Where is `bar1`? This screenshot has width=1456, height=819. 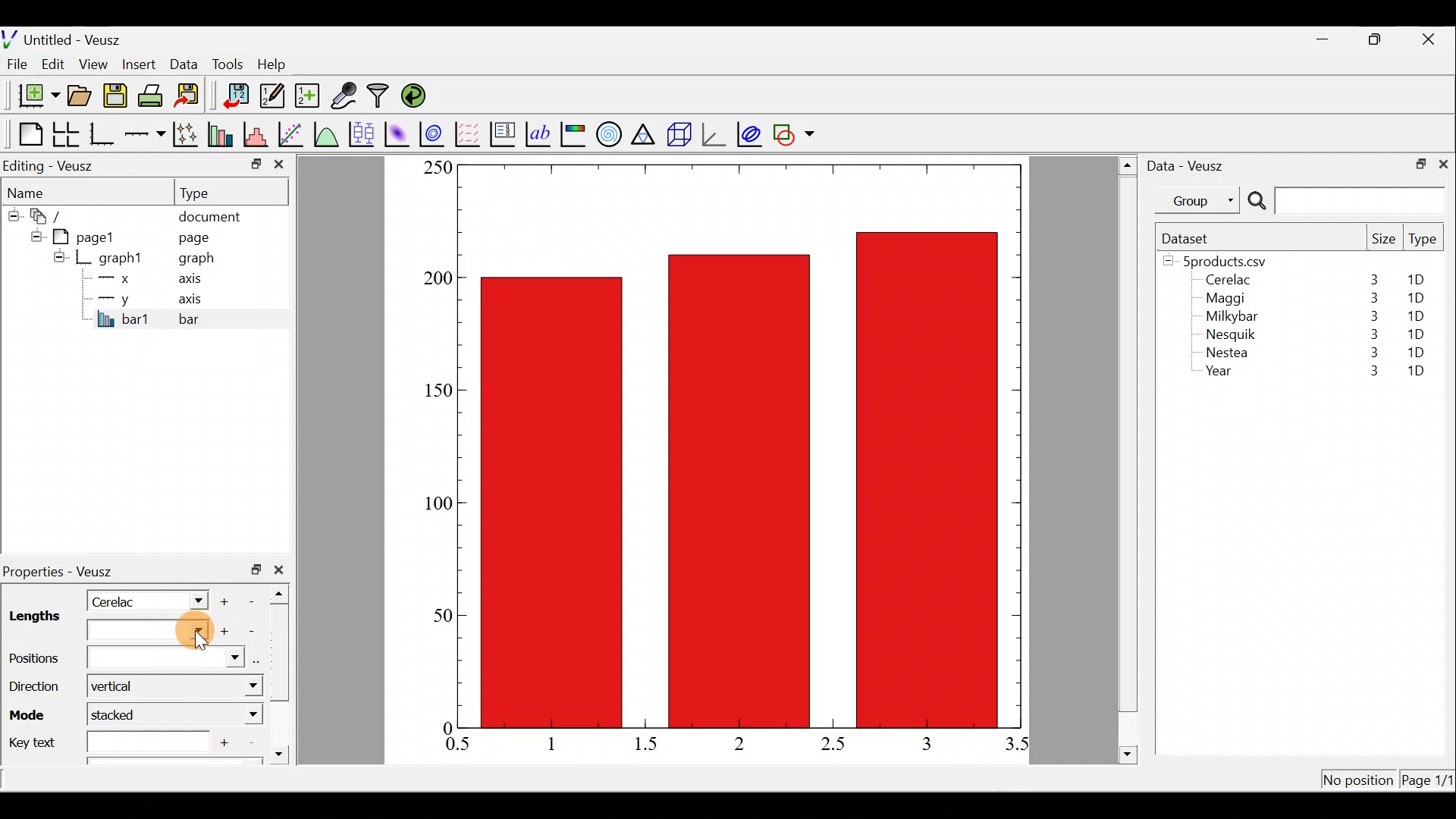 bar1 is located at coordinates (124, 318).